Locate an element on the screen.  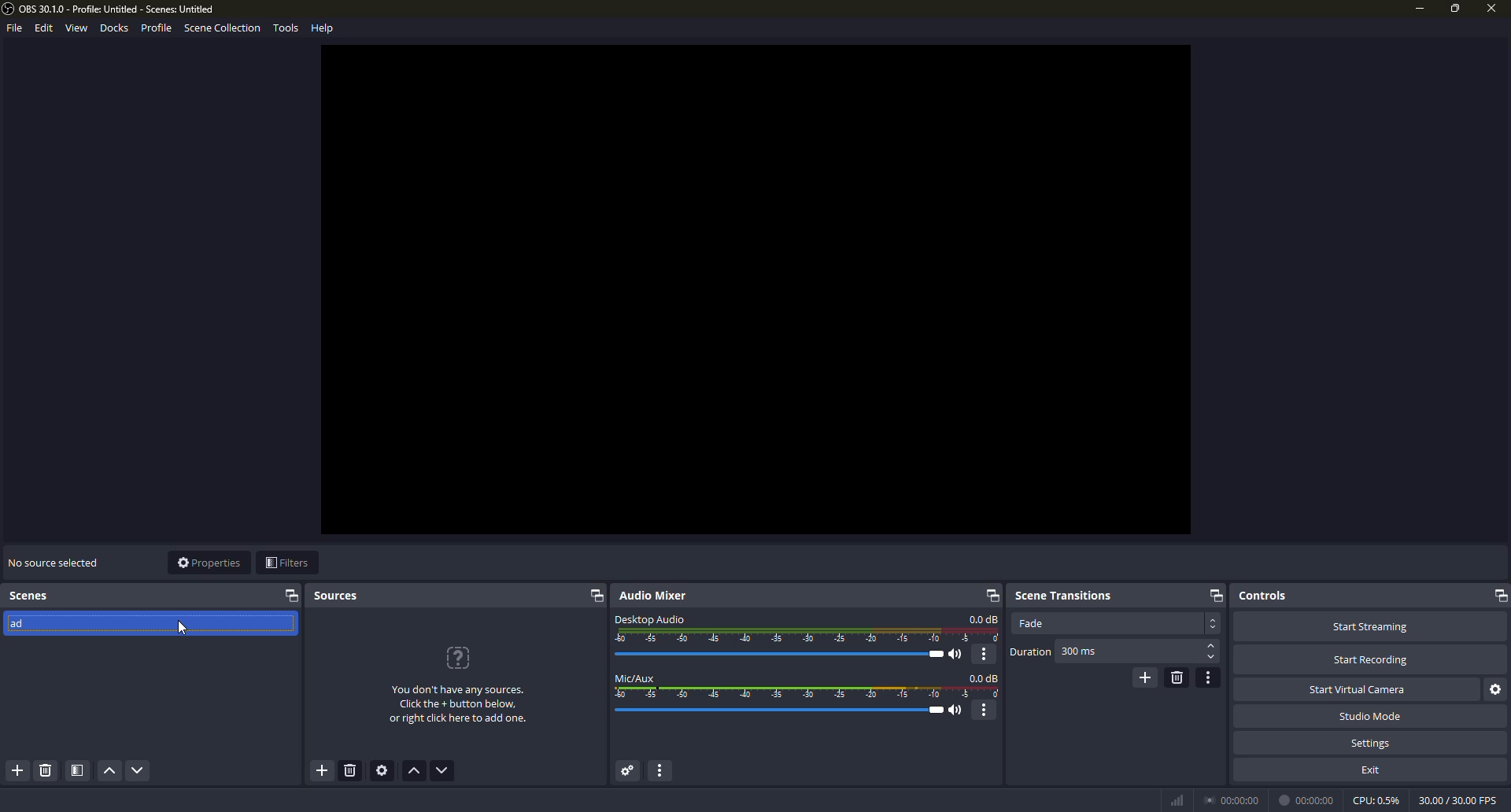
network is located at coordinates (1176, 799).